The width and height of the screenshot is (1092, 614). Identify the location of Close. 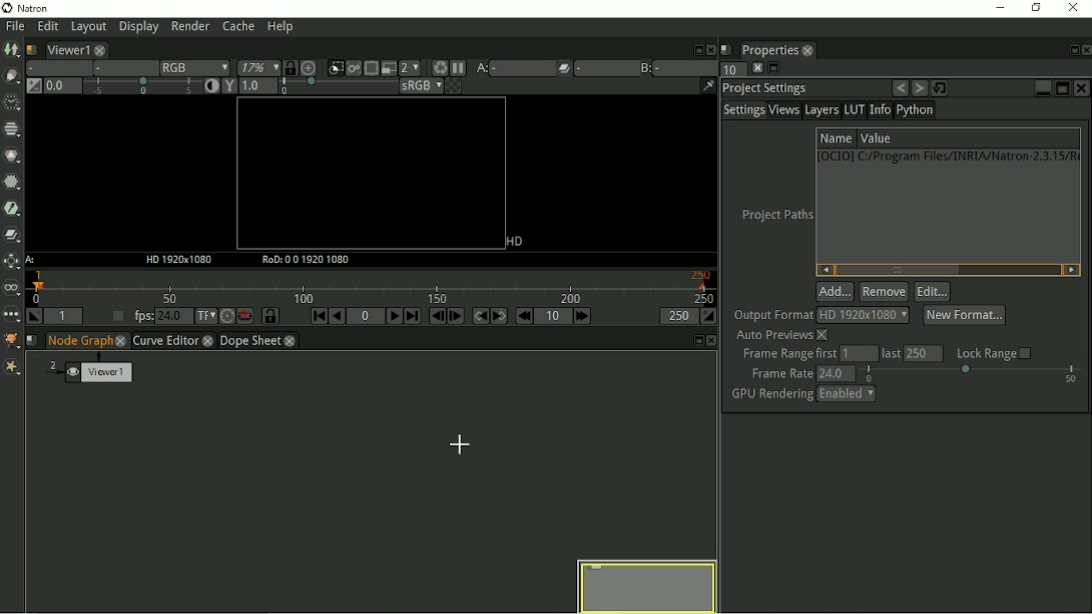
(1085, 50).